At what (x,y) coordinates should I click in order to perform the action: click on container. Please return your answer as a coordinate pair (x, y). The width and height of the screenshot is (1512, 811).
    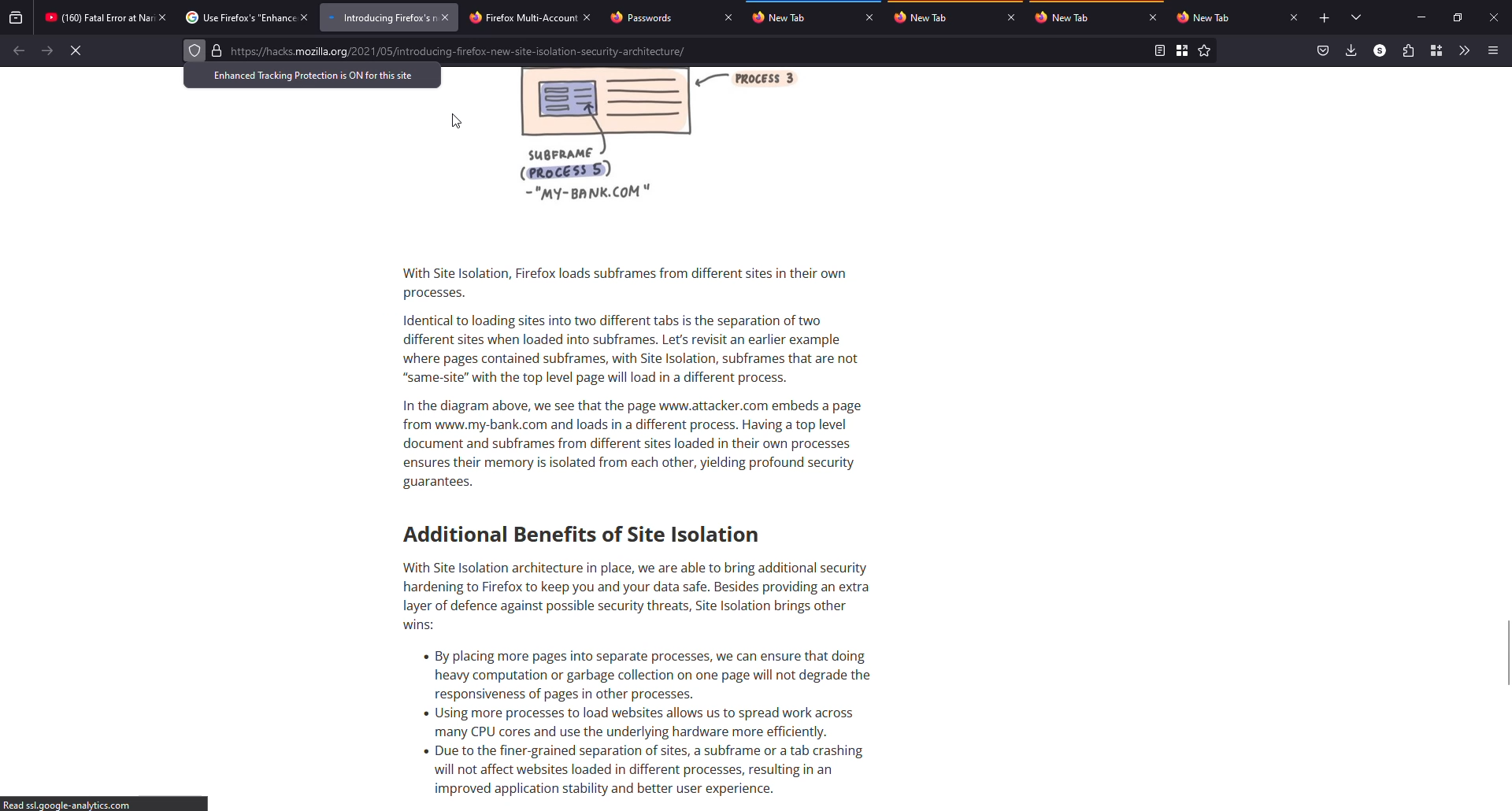
    Looking at the image, I should click on (1436, 50).